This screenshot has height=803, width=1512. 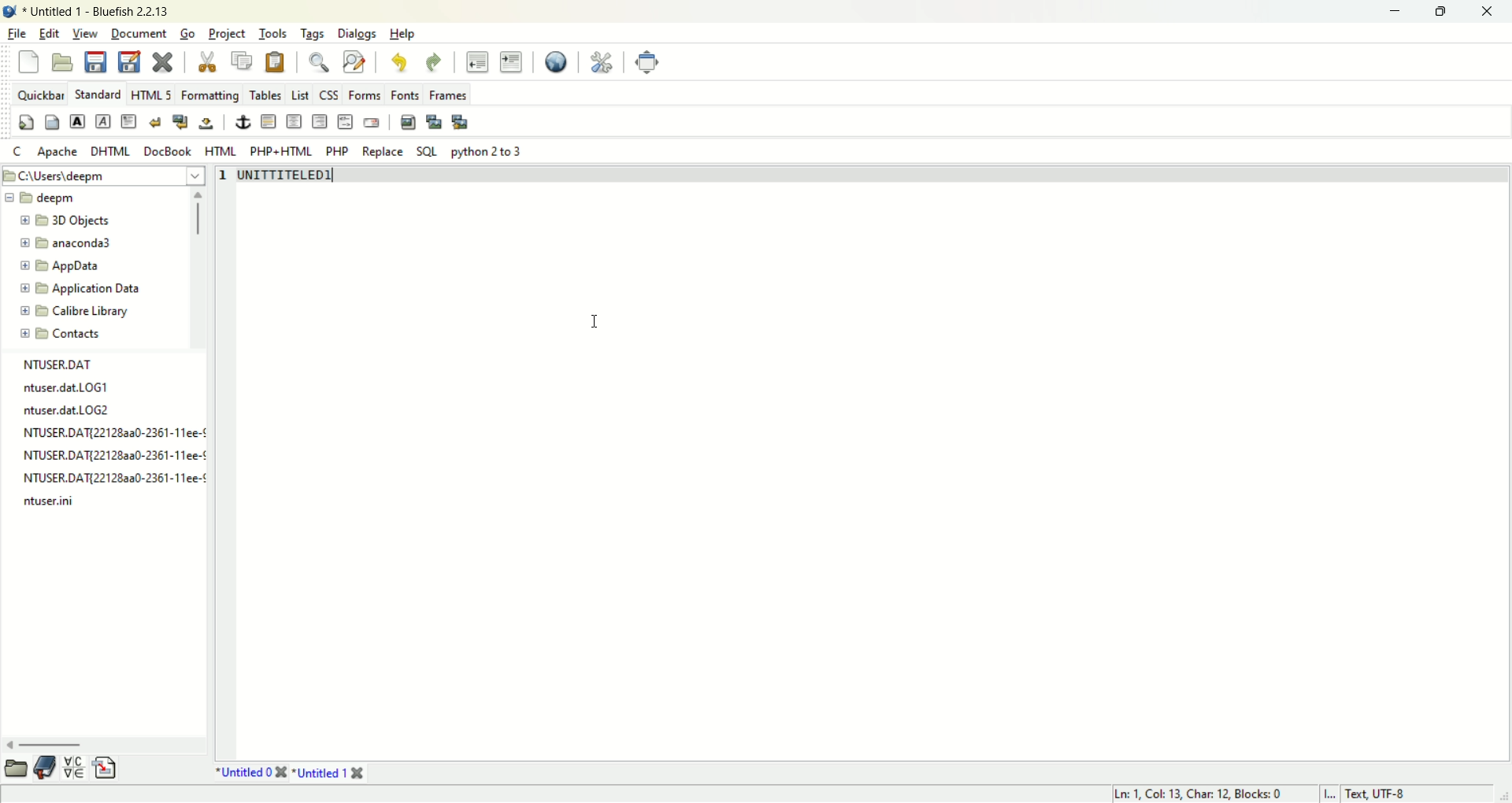 I want to click on dialogs, so click(x=358, y=35).